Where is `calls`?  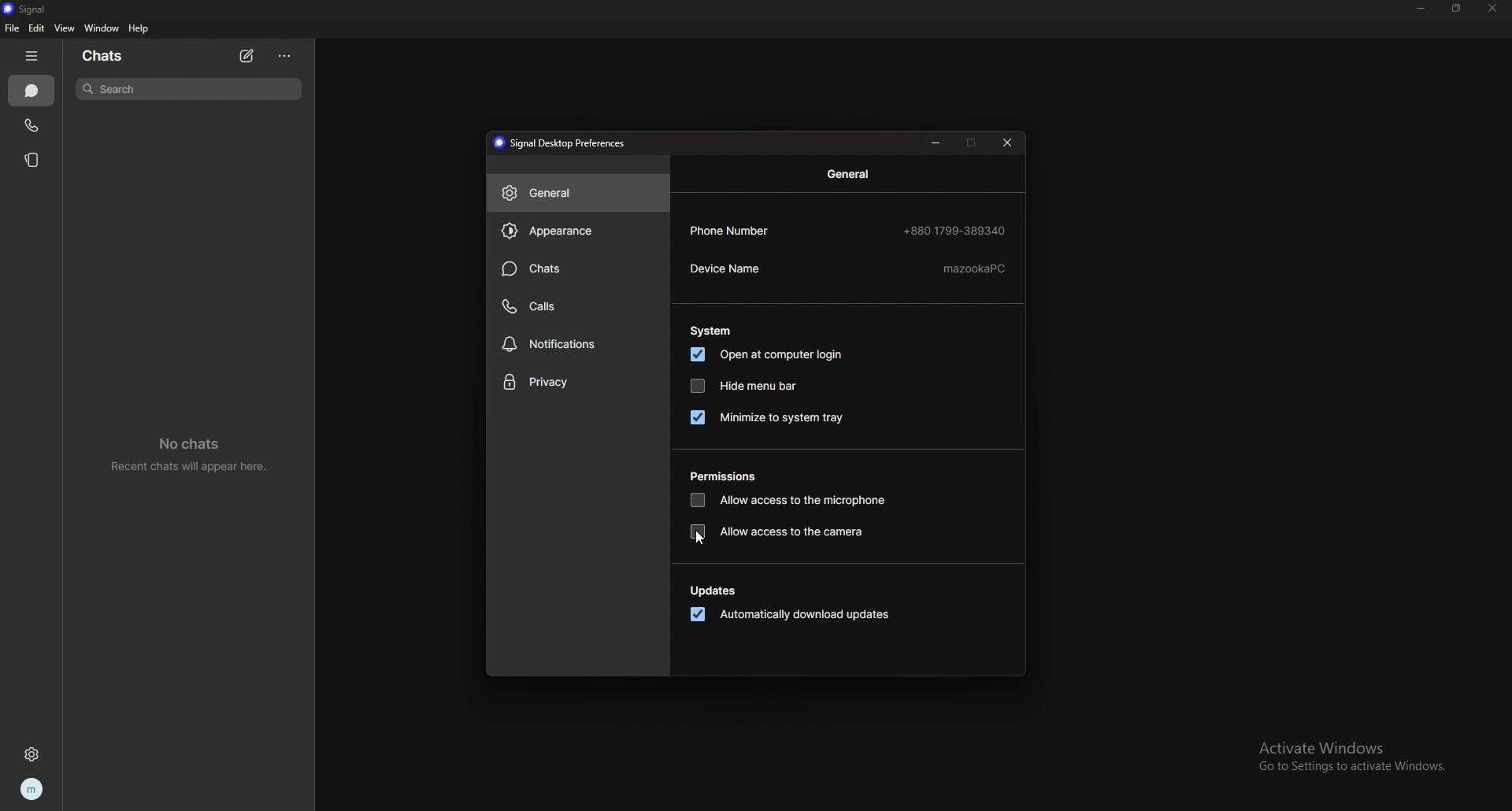
calls is located at coordinates (35, 124).